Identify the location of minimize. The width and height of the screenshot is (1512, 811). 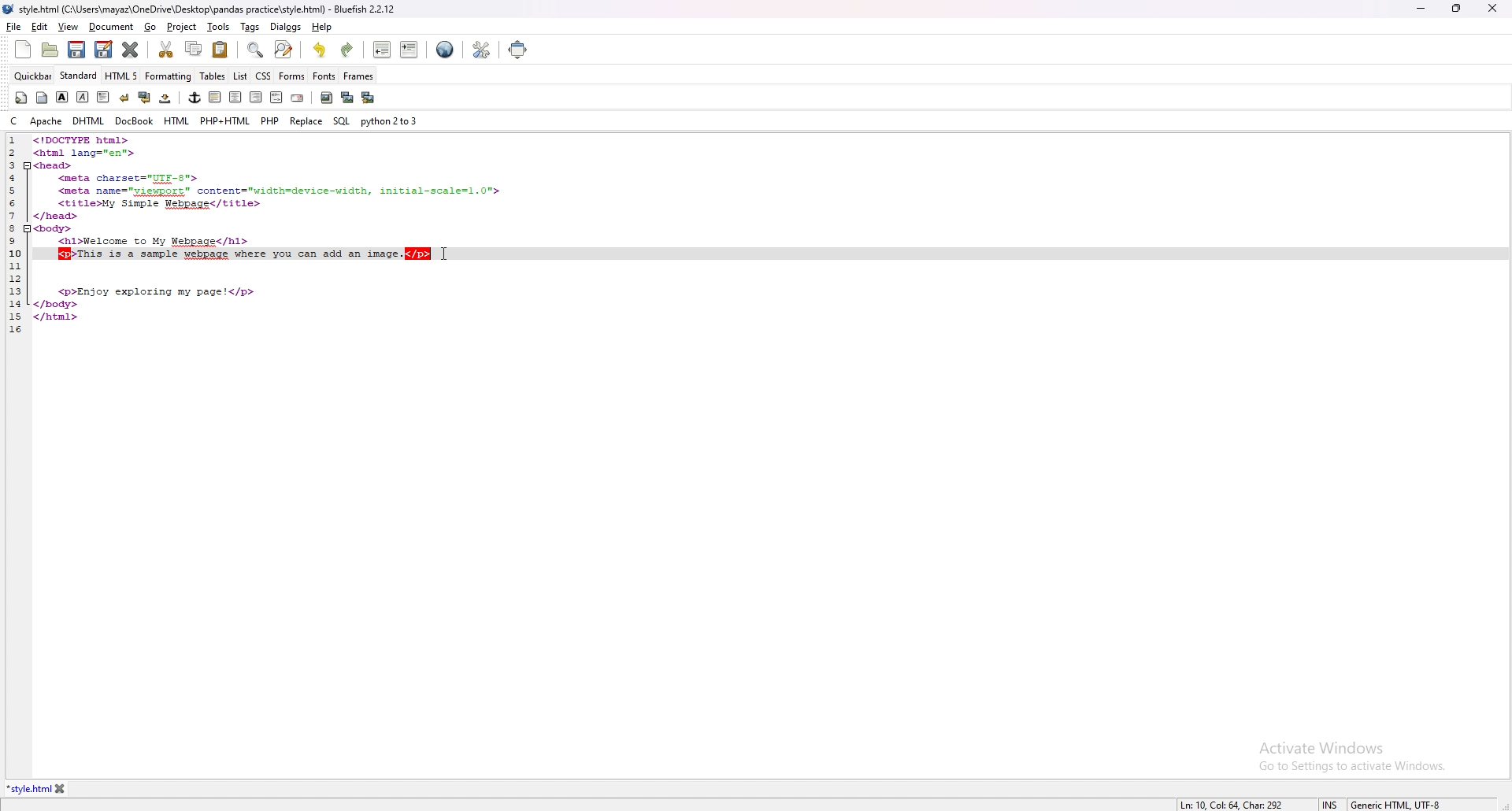
(1421, 9).